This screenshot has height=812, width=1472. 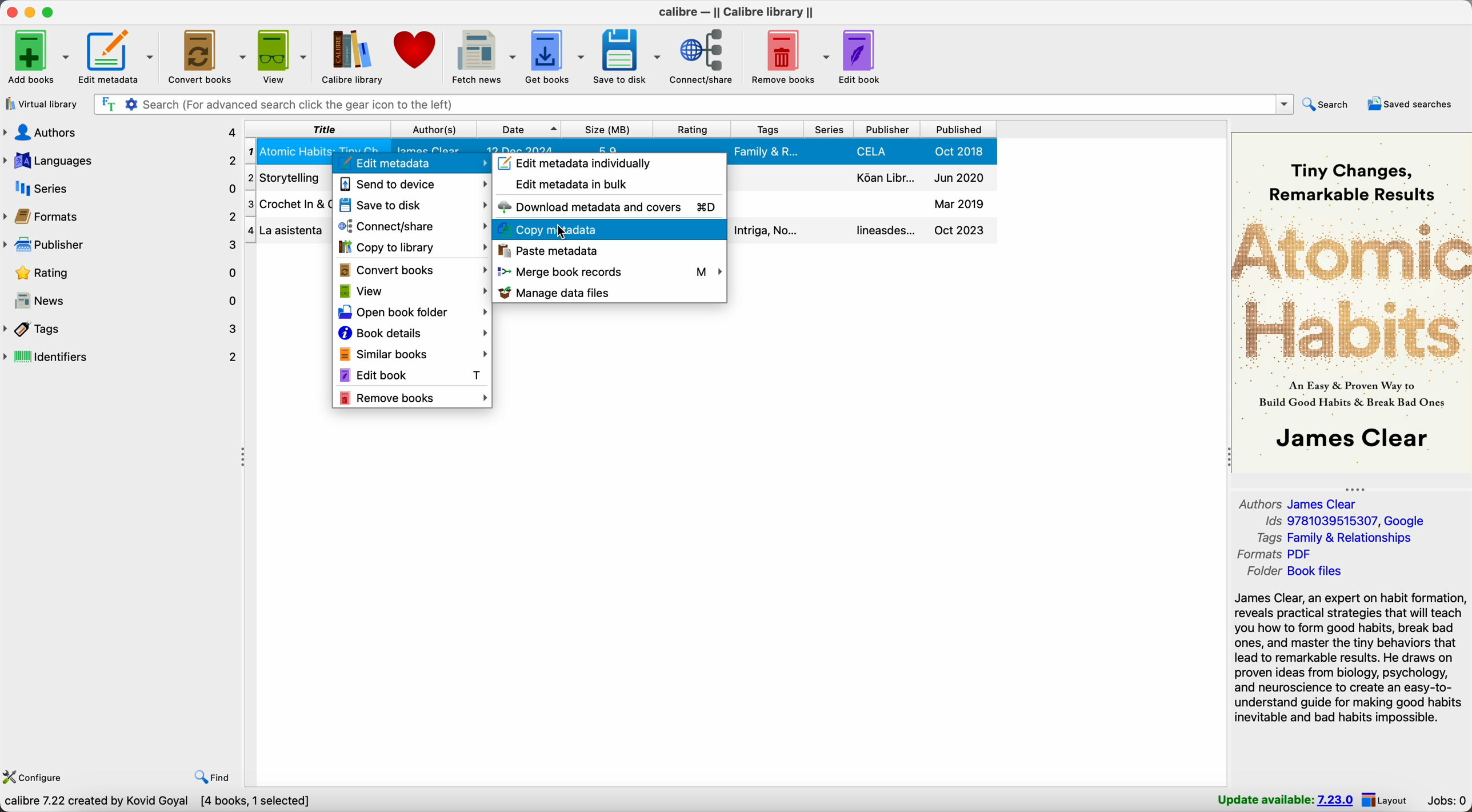 What do you see at coordinates (607, 206) in the screenshot?
I see `download metadata and covers` at bounding box center [607, 206].